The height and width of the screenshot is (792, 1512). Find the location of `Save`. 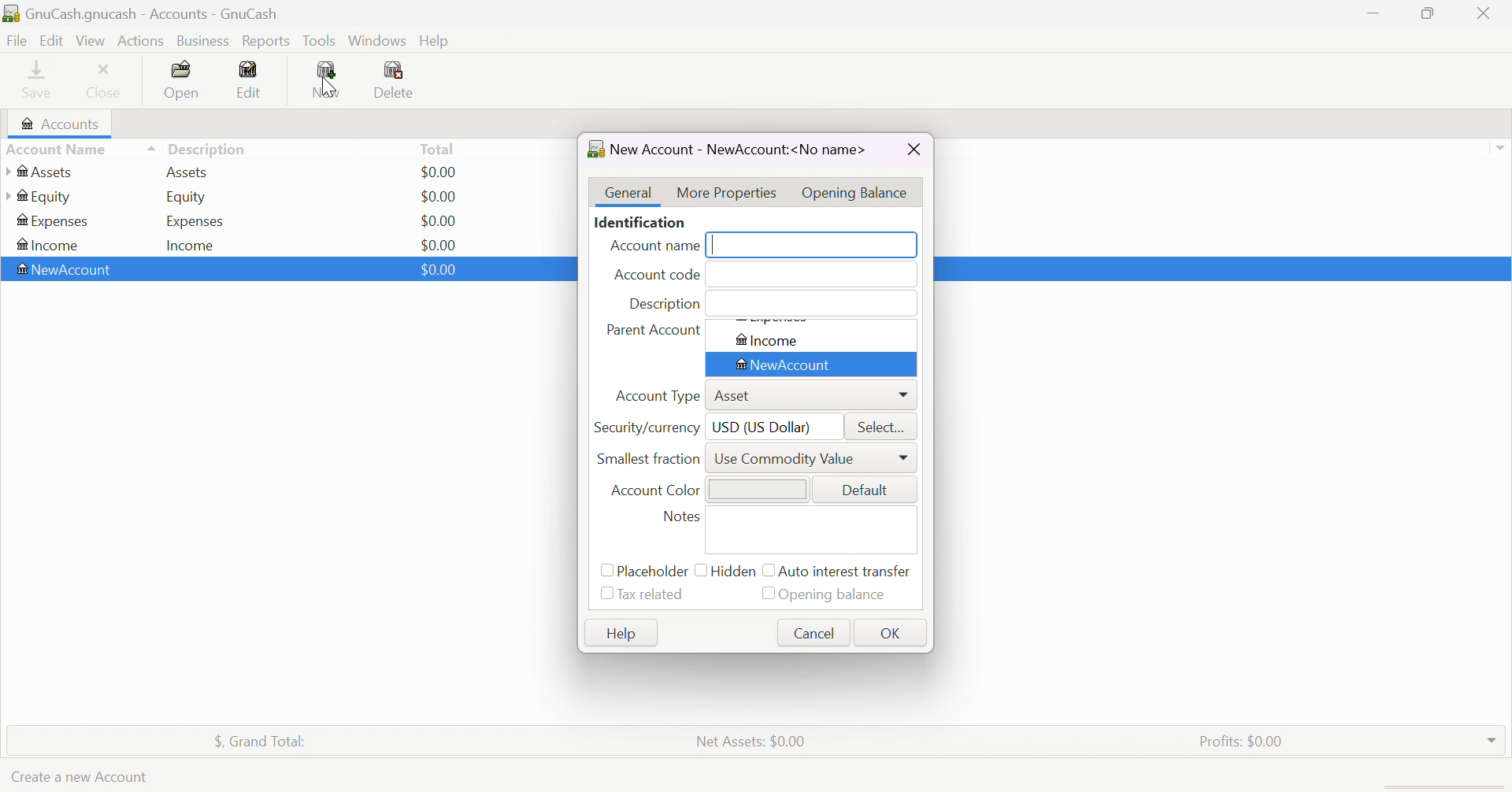

Save is located at coordinates (37, 80).